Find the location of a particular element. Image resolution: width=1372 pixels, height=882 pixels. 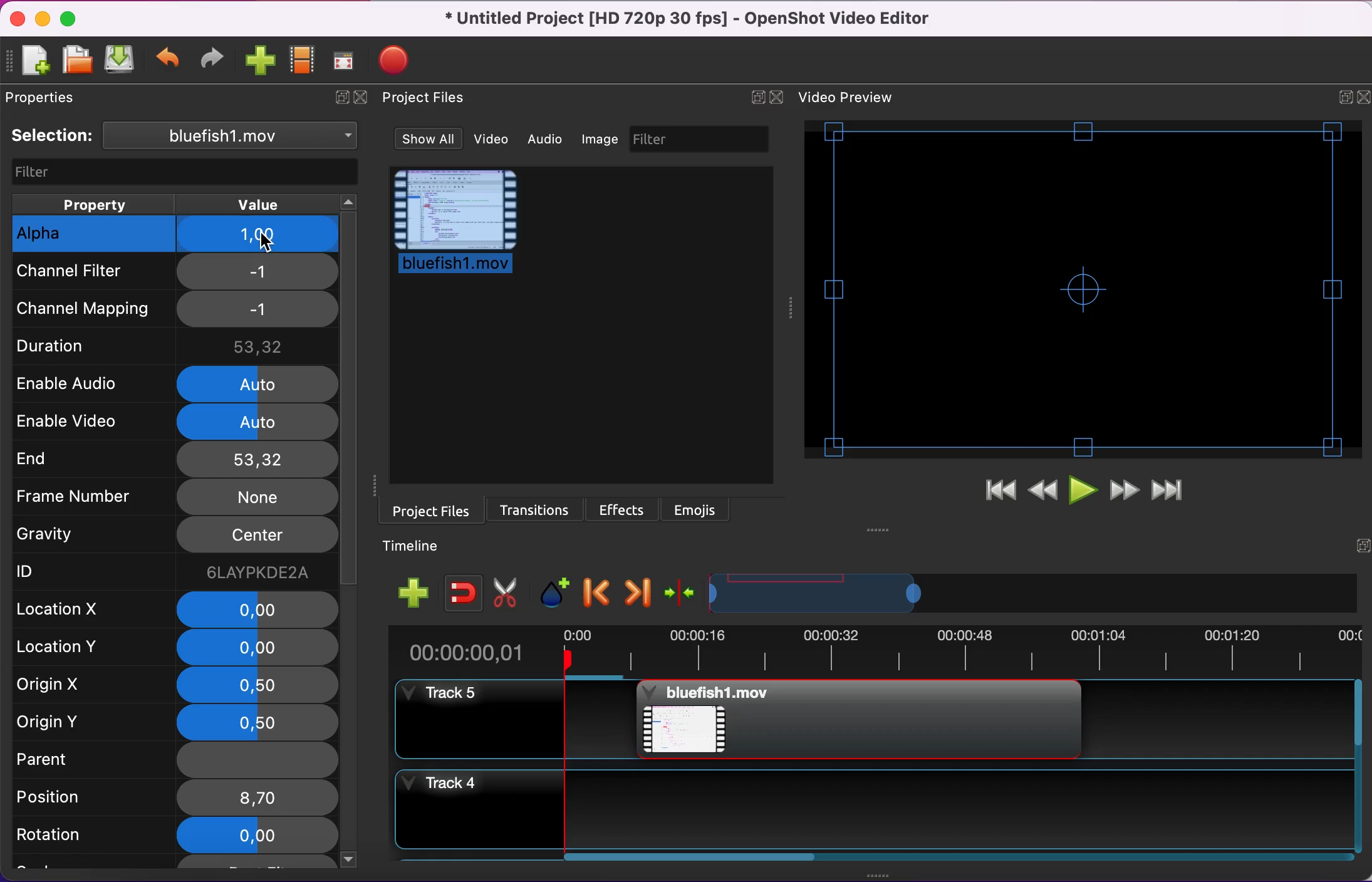

properties is located at coordinates (46, 101).